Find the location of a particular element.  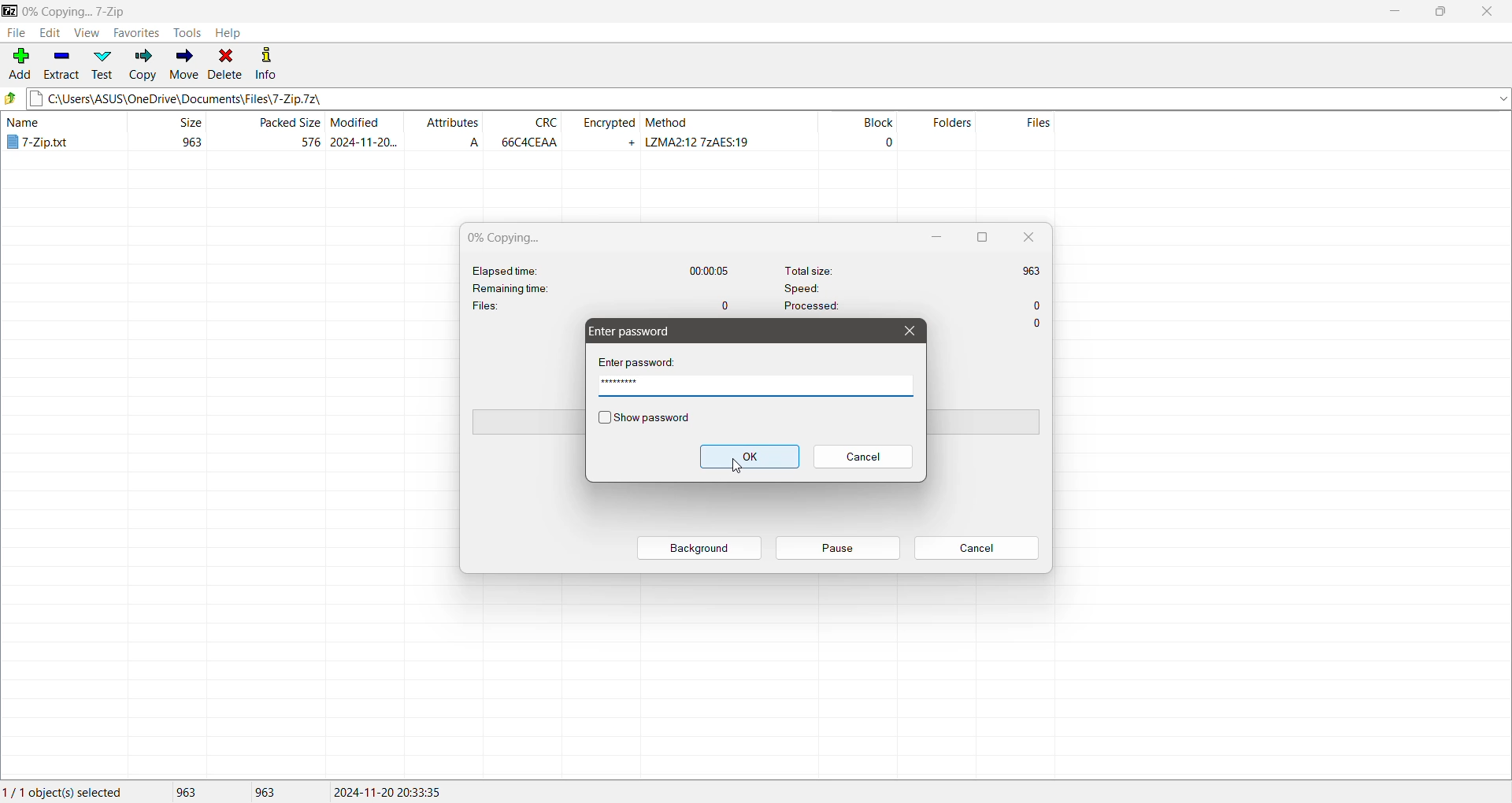

Current Selection is located at coordinates (71, 793).